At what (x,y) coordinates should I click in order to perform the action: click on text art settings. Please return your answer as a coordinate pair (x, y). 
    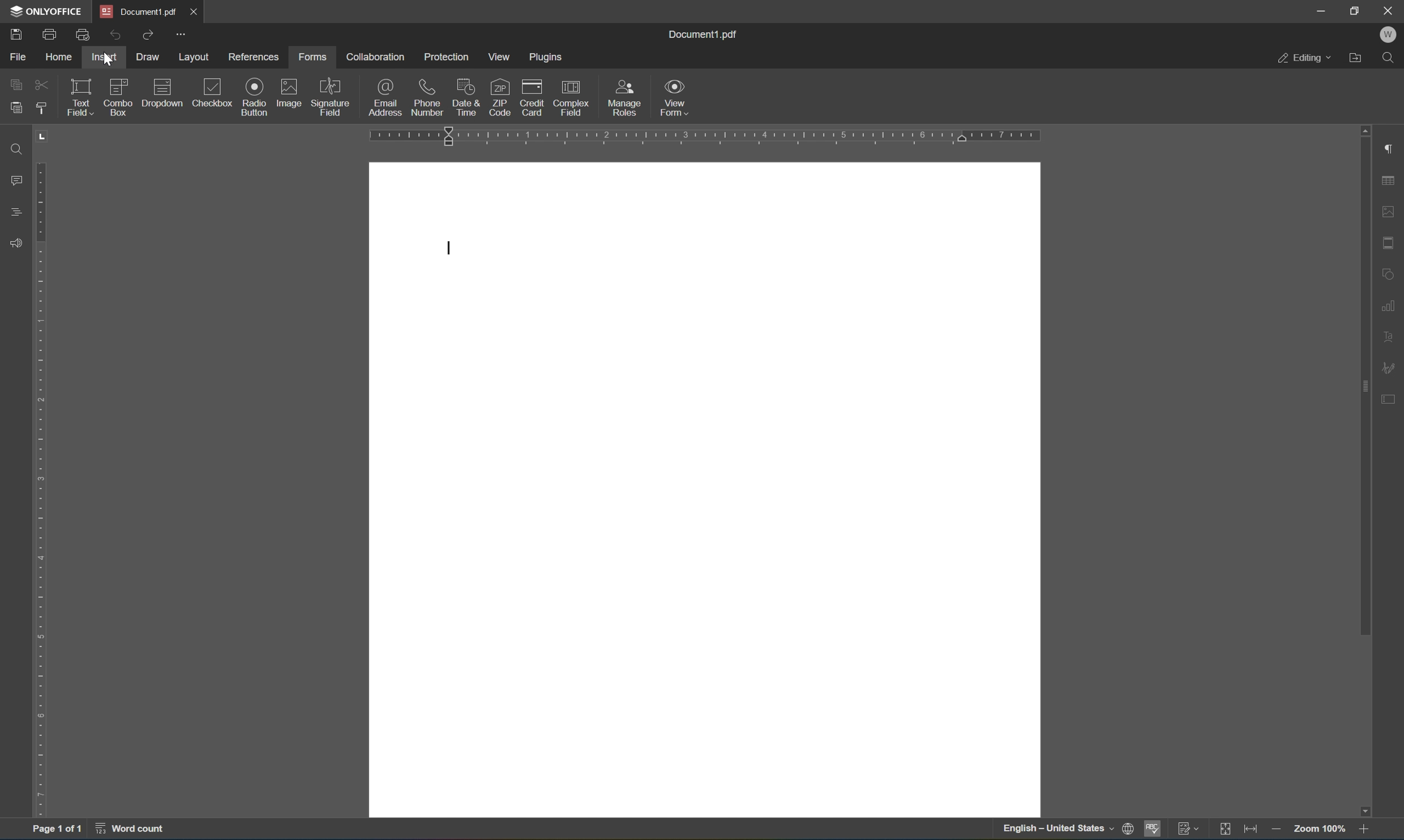
    Looking at the image, I should click on (1389, 338).